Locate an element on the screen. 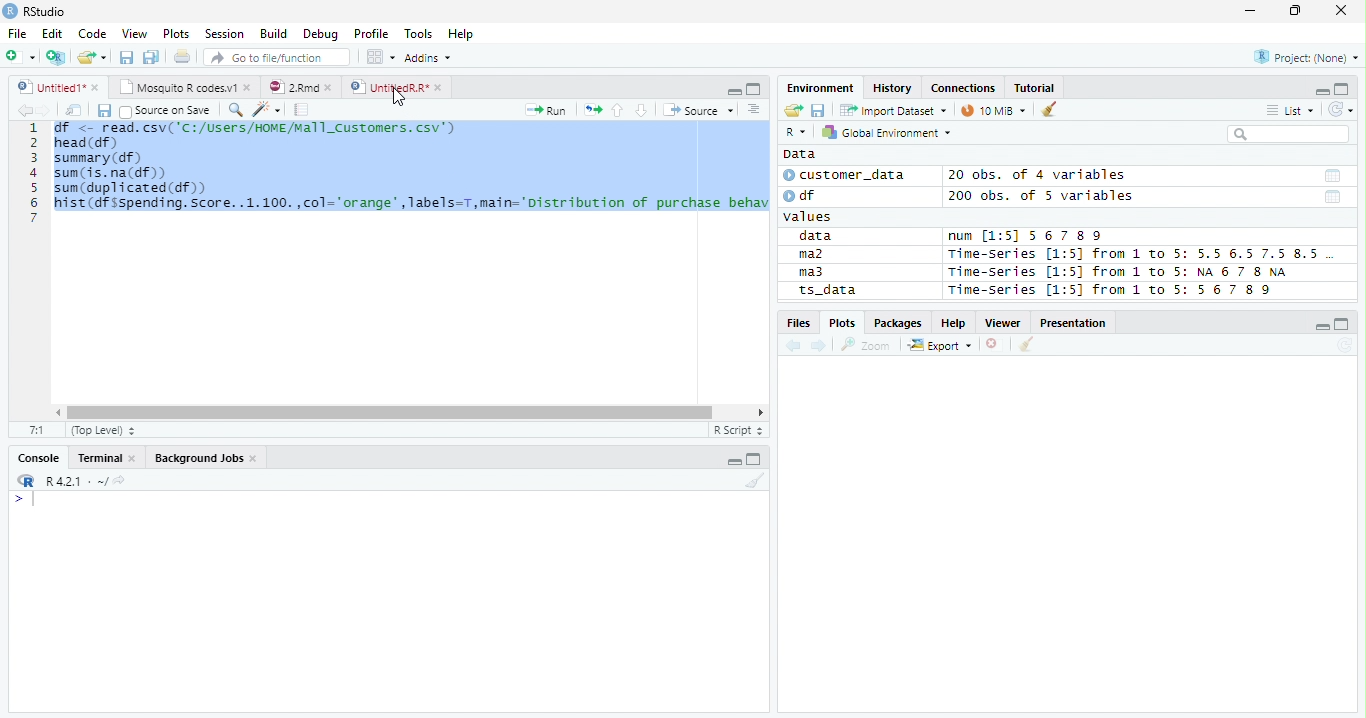  Open folder is located at coordinates (791, 111).